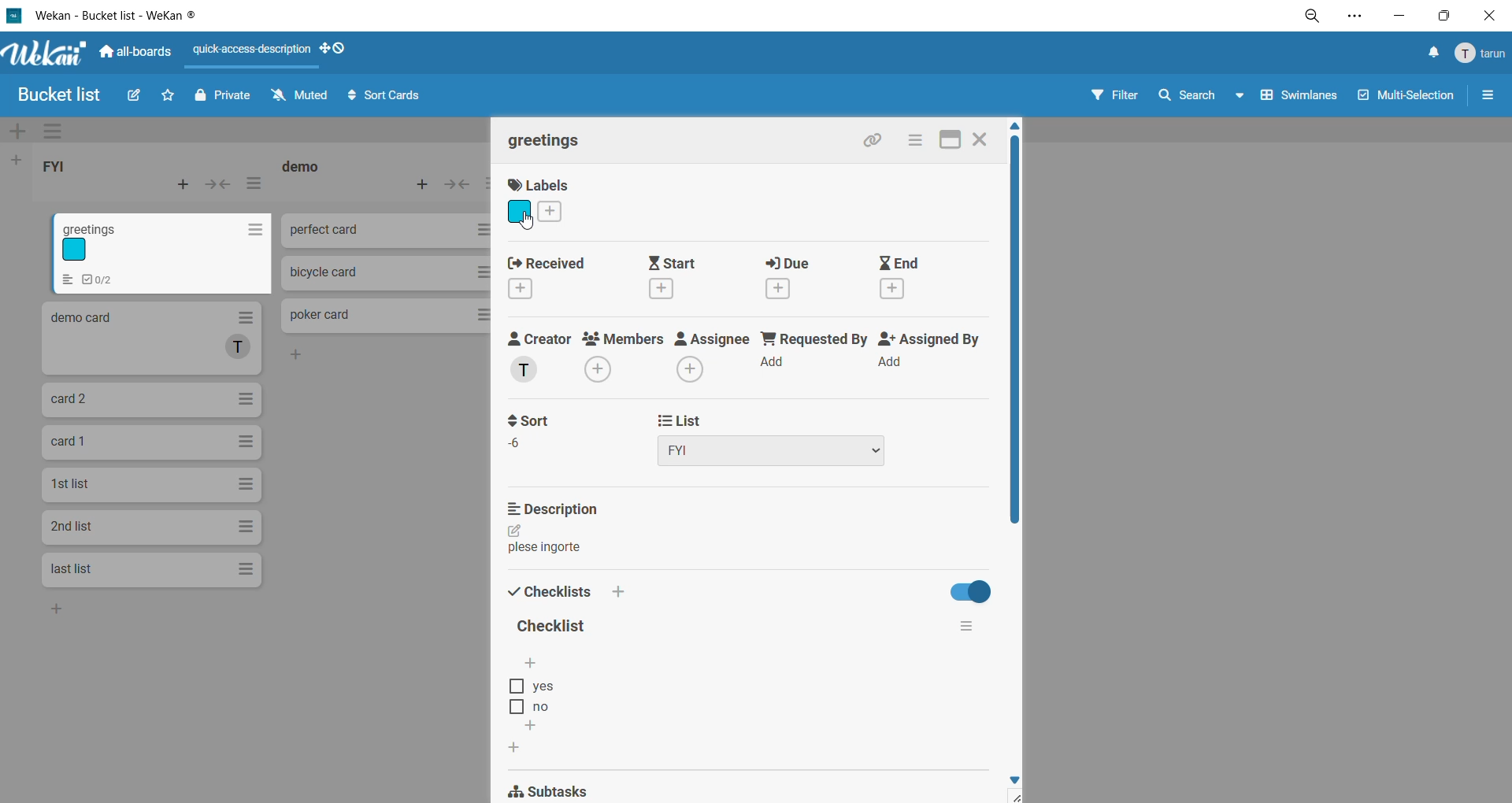  Describe the element at coordinates (44, 52) in the screenshot. I see `WeKan` at that location.